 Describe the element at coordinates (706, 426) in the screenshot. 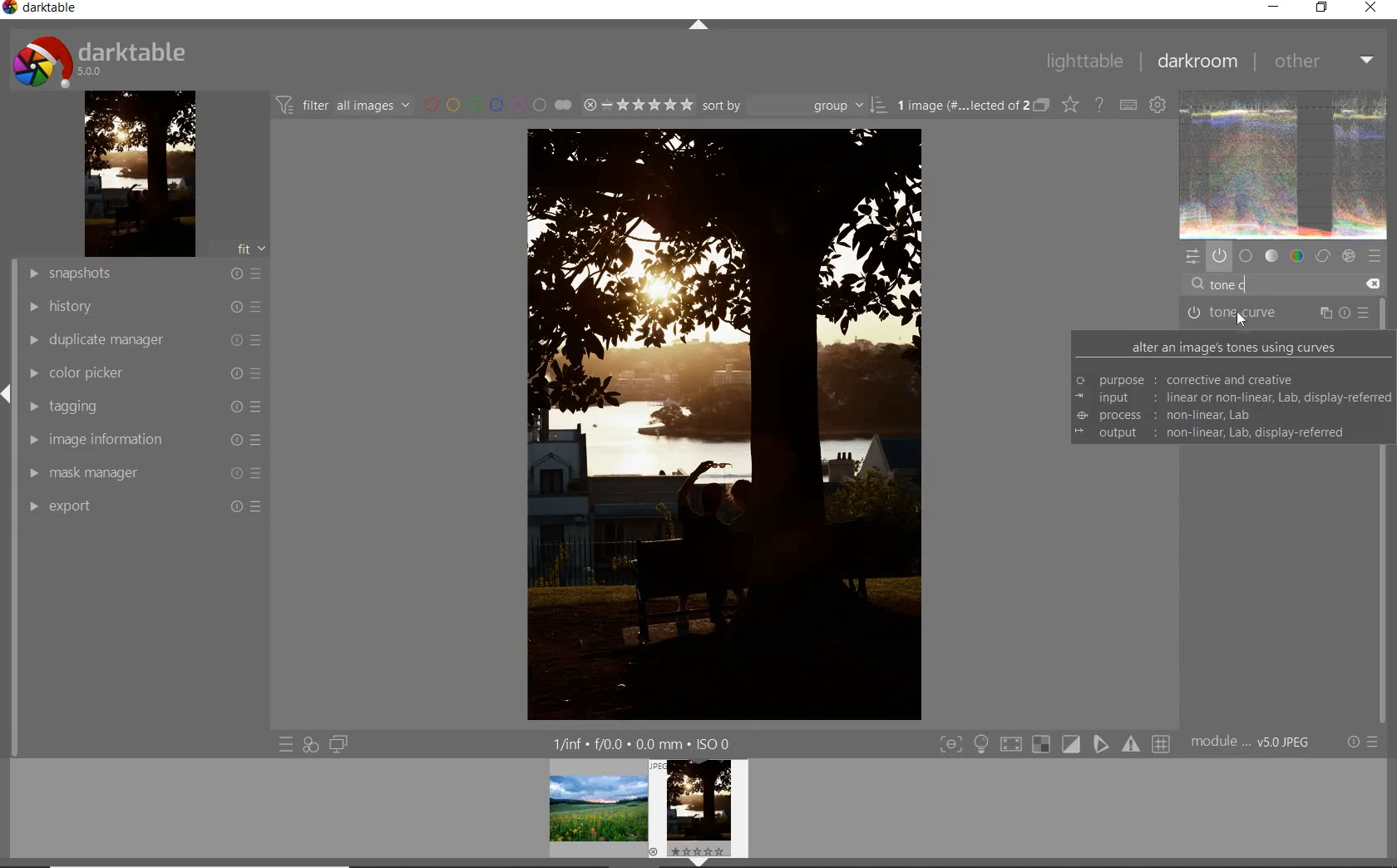

I see `selected image` at that location.